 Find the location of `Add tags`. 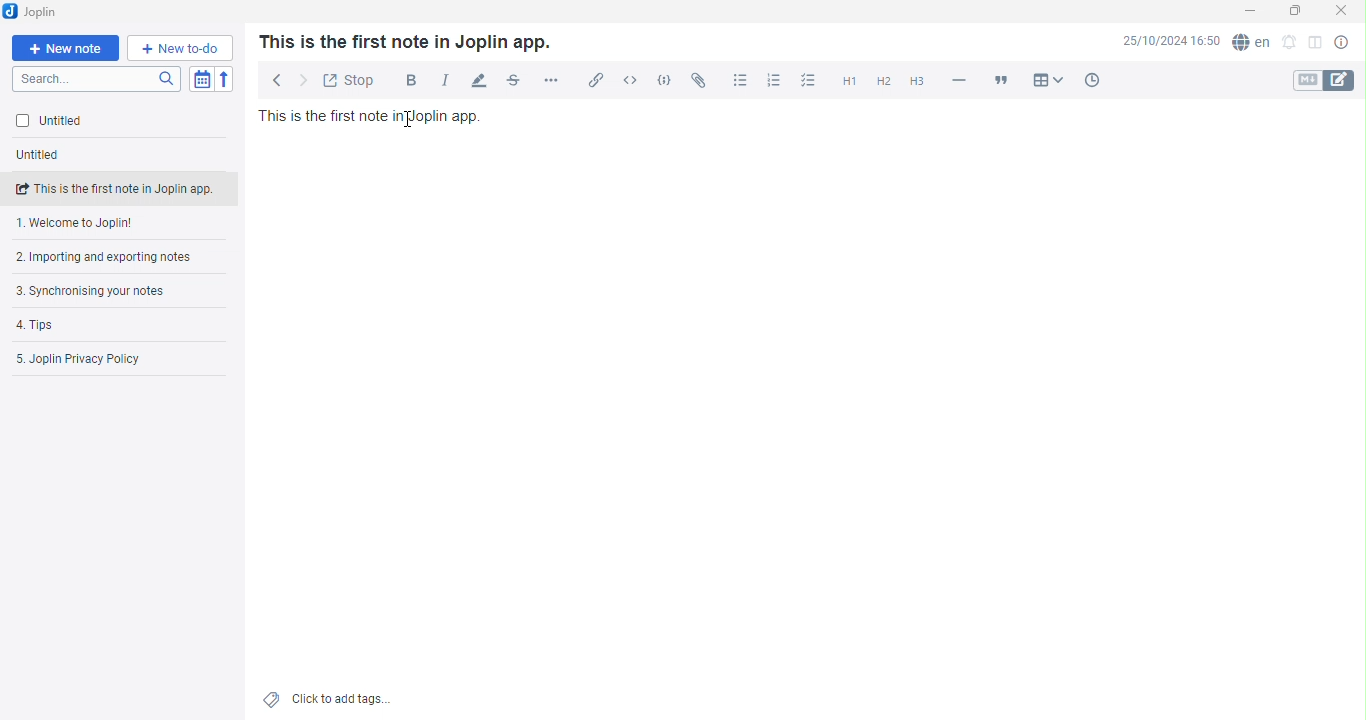

Add tags is located at coordinates (331, 700).